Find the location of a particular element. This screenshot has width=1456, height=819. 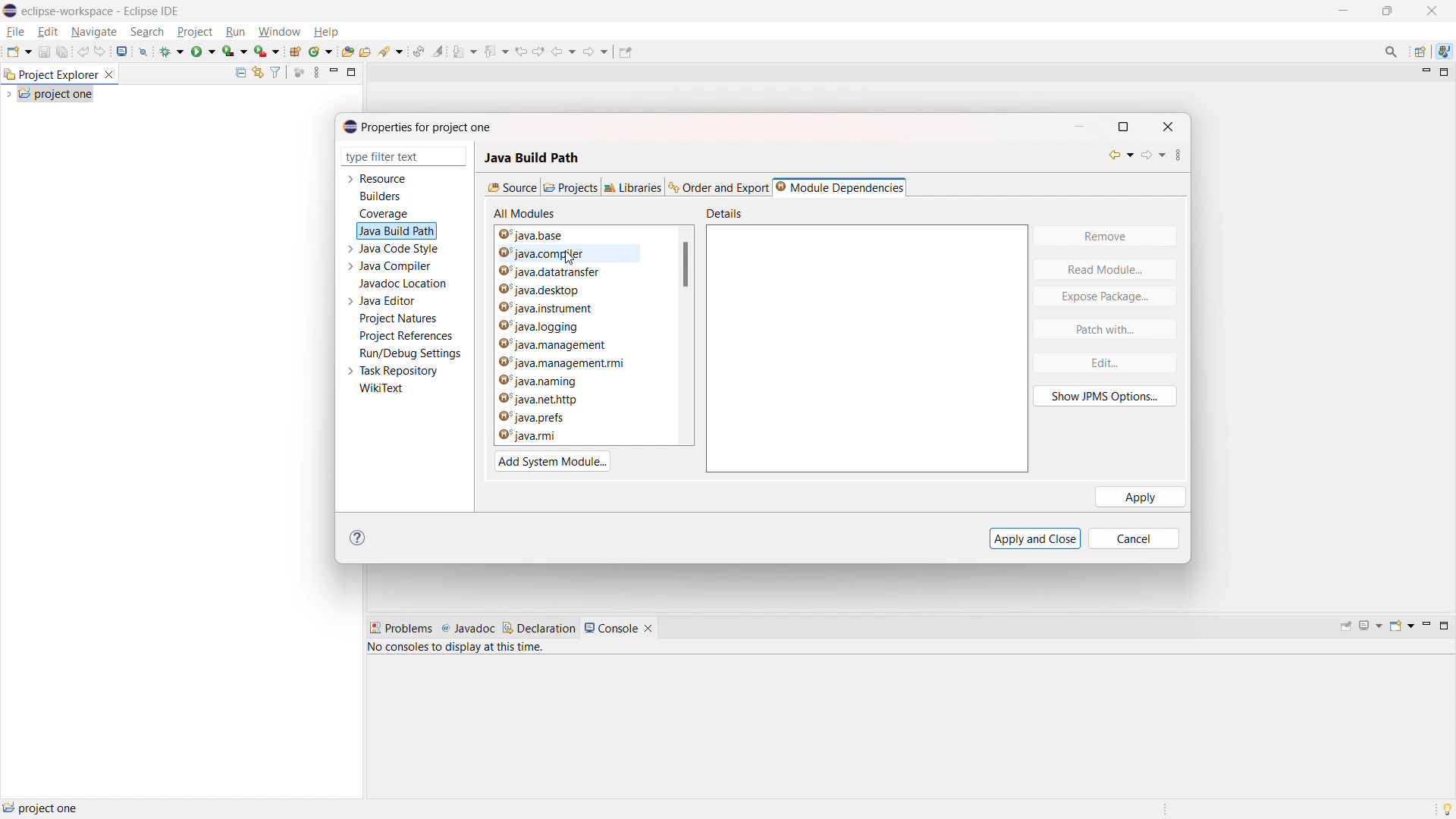

java.logging is located at coordinates (567, 326).